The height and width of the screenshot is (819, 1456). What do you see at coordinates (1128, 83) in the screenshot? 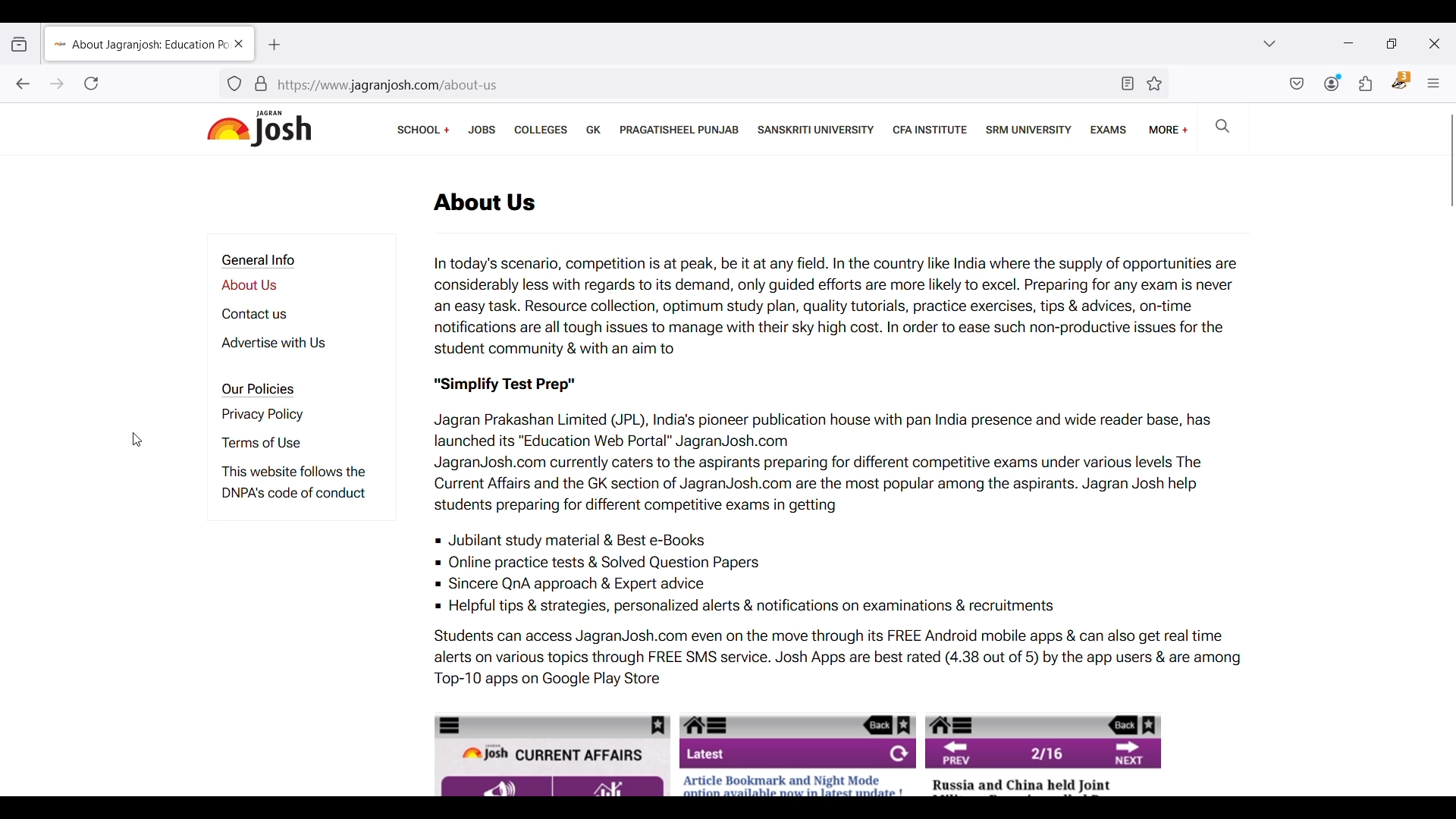
I see `Toggle reader view` at bounding box center [1128, 83].